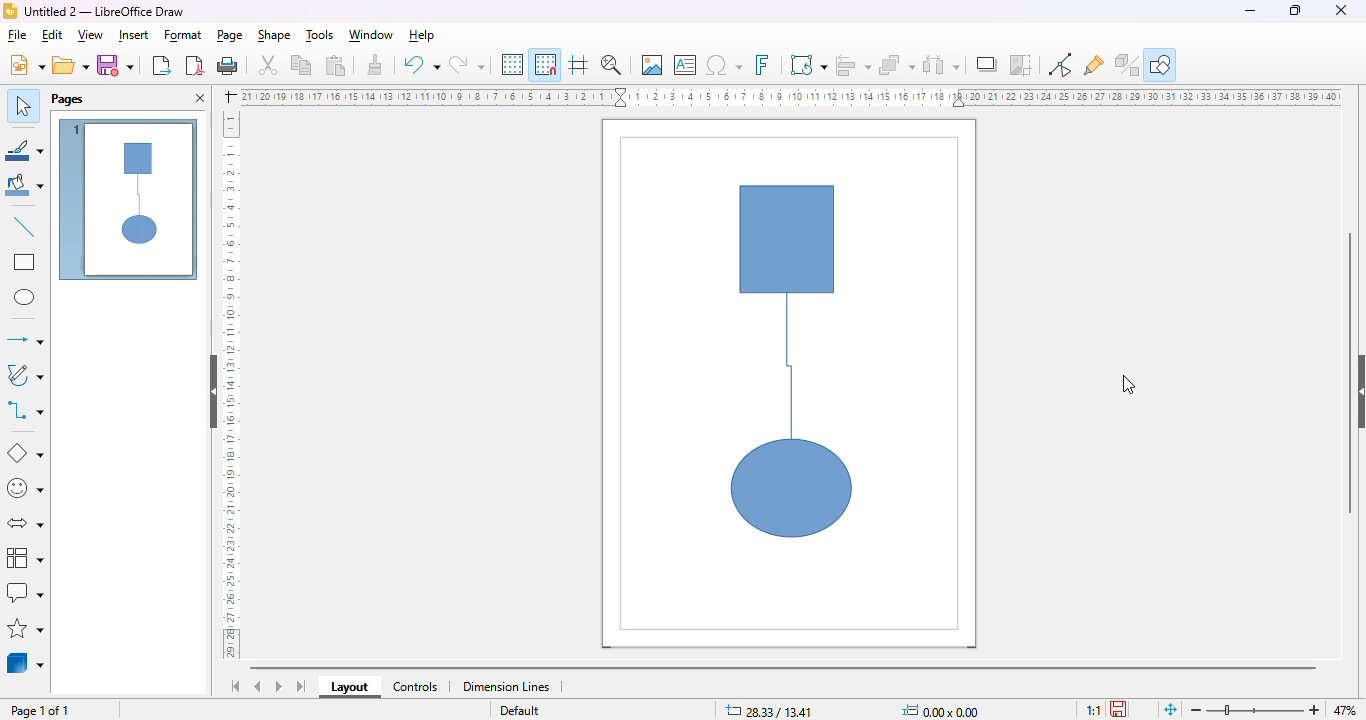 This screenshot has width=1366, height=720. I want to click on zoom in, so click(1311, 710).